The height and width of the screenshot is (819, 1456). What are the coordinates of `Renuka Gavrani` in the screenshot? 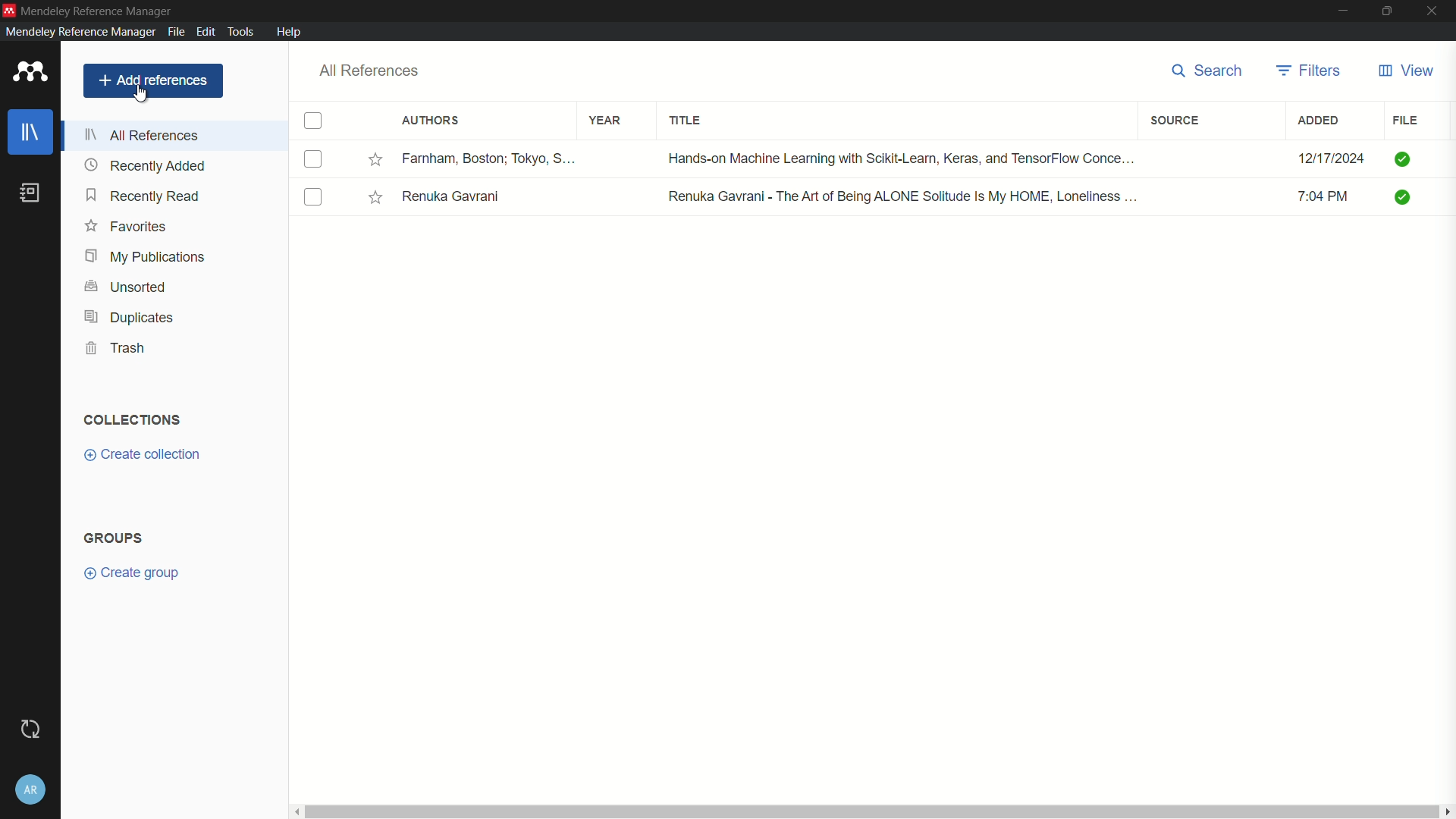 It's located at (454, 197).